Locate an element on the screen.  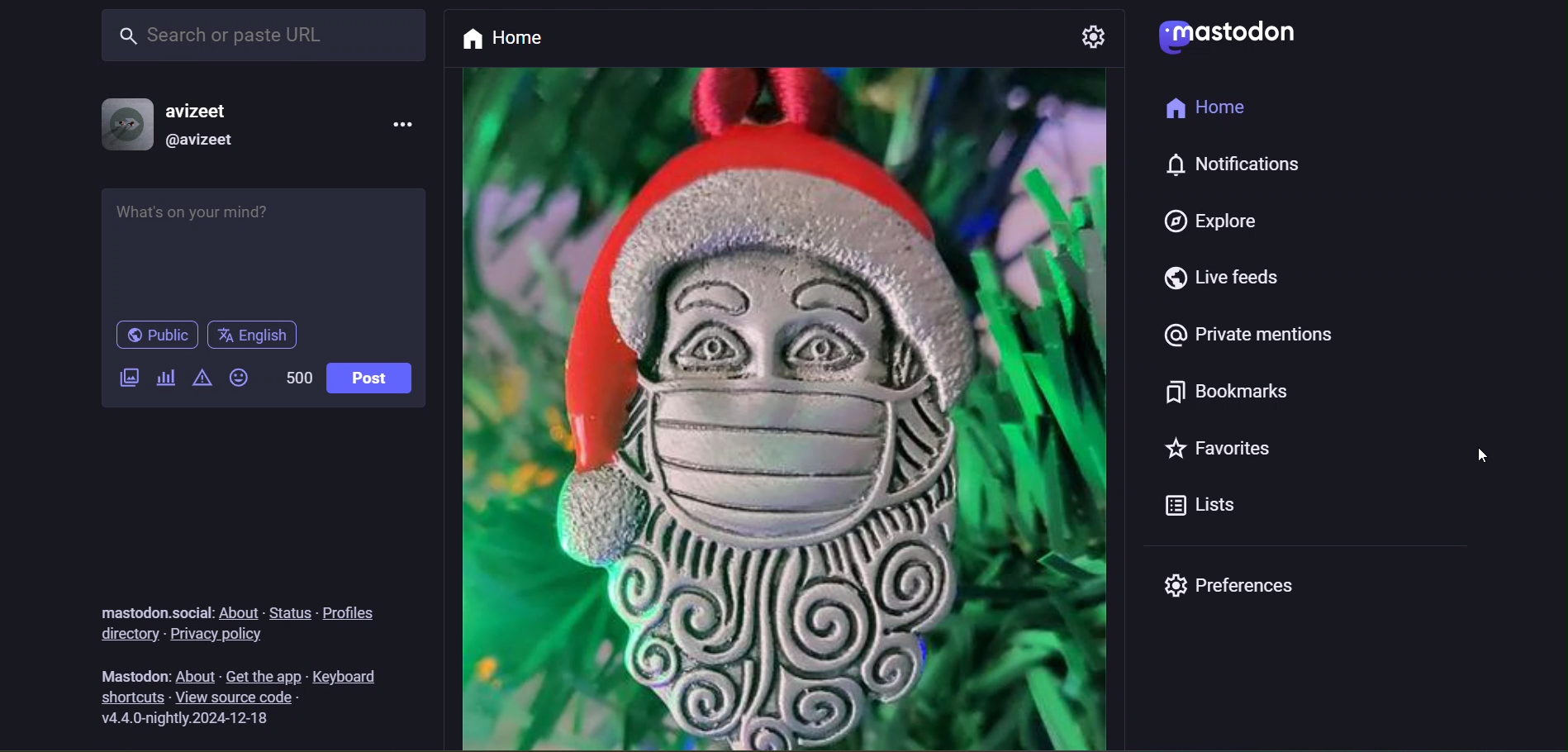
about is located at coordinates (236, 609).